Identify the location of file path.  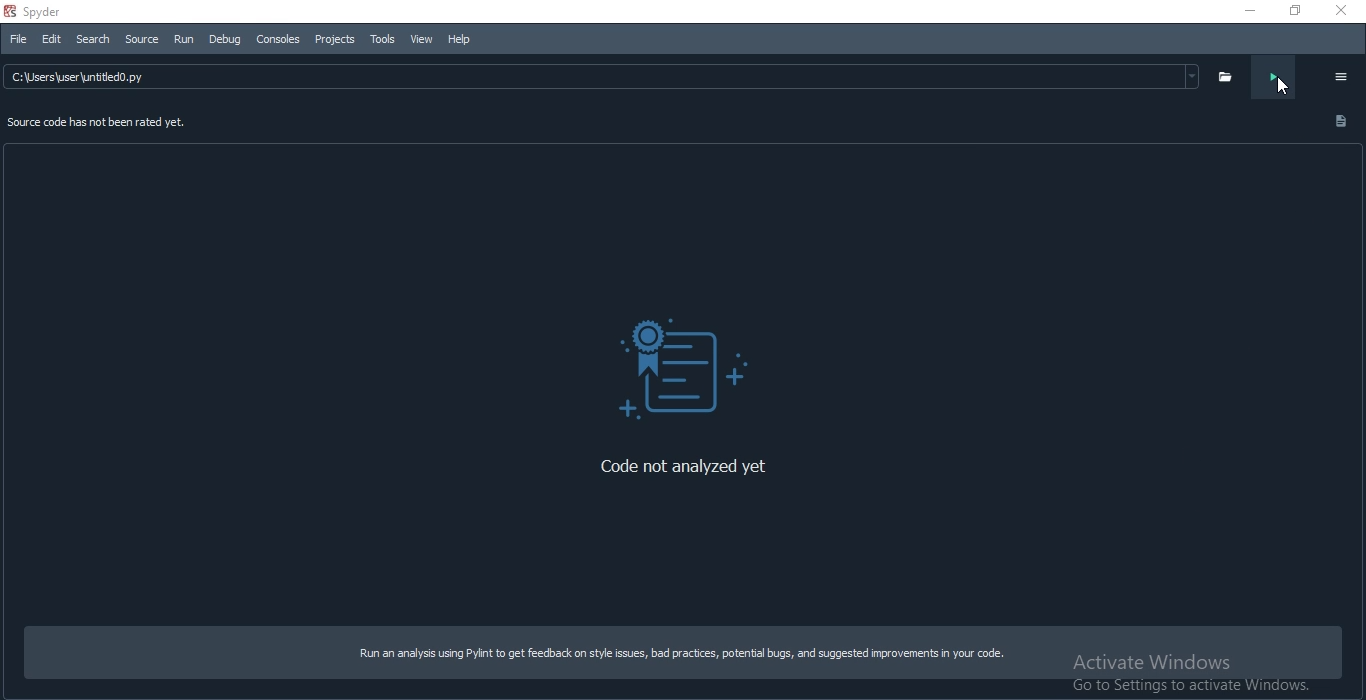
(606, 76).